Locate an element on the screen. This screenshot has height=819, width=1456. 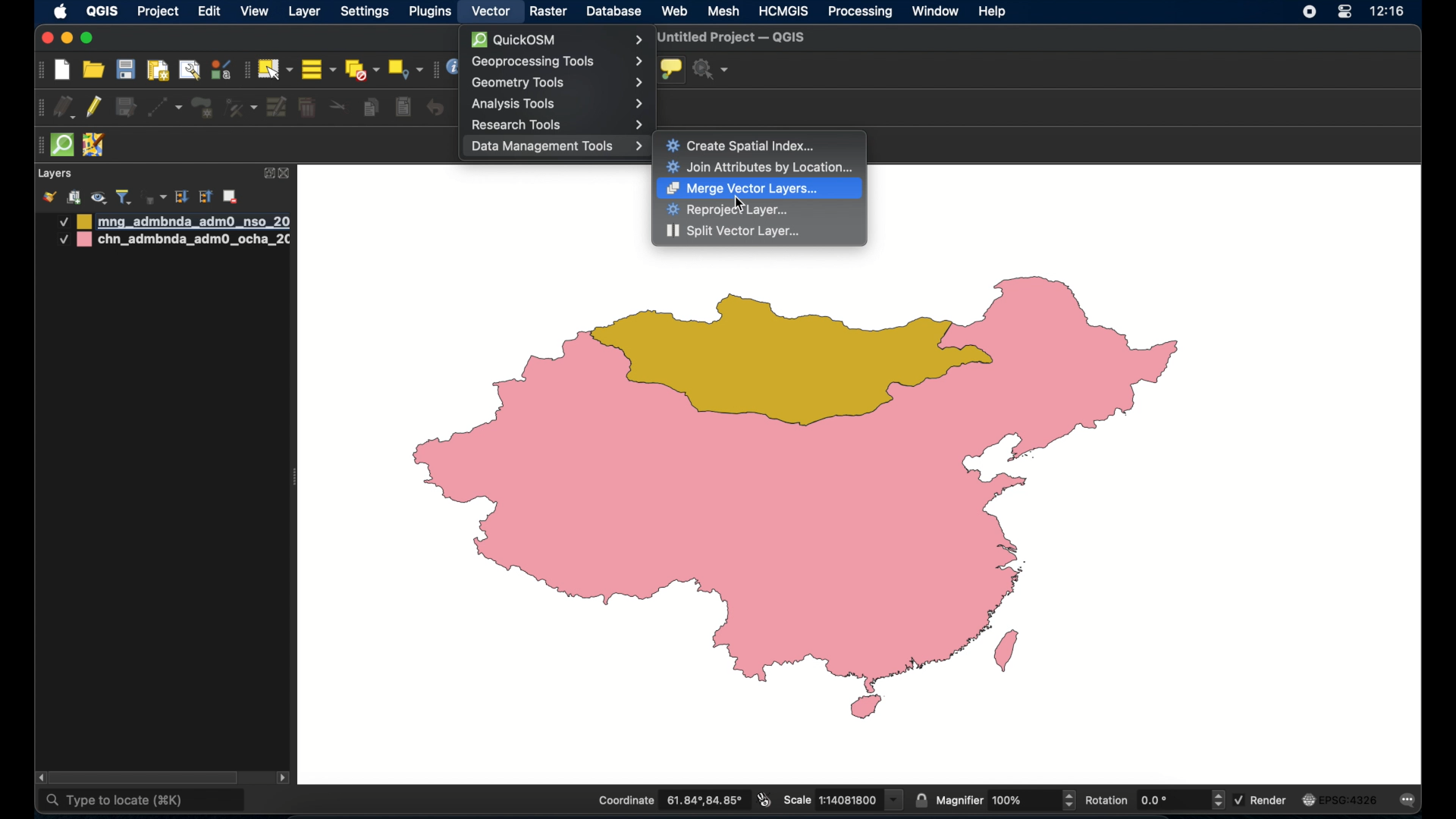
scale is located at coordinates (842, 799).